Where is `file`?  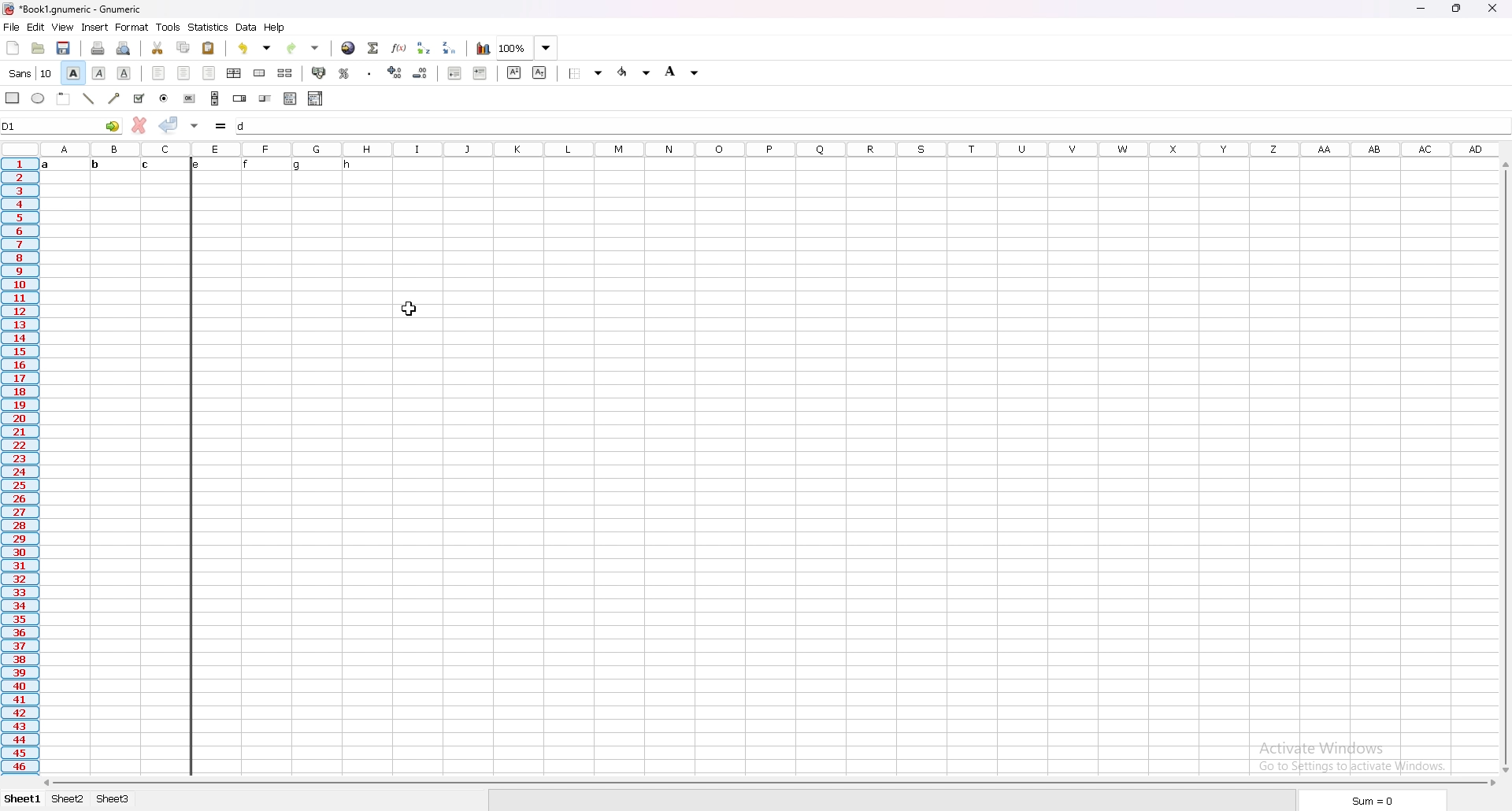
file is located at coordinates (12, 26).